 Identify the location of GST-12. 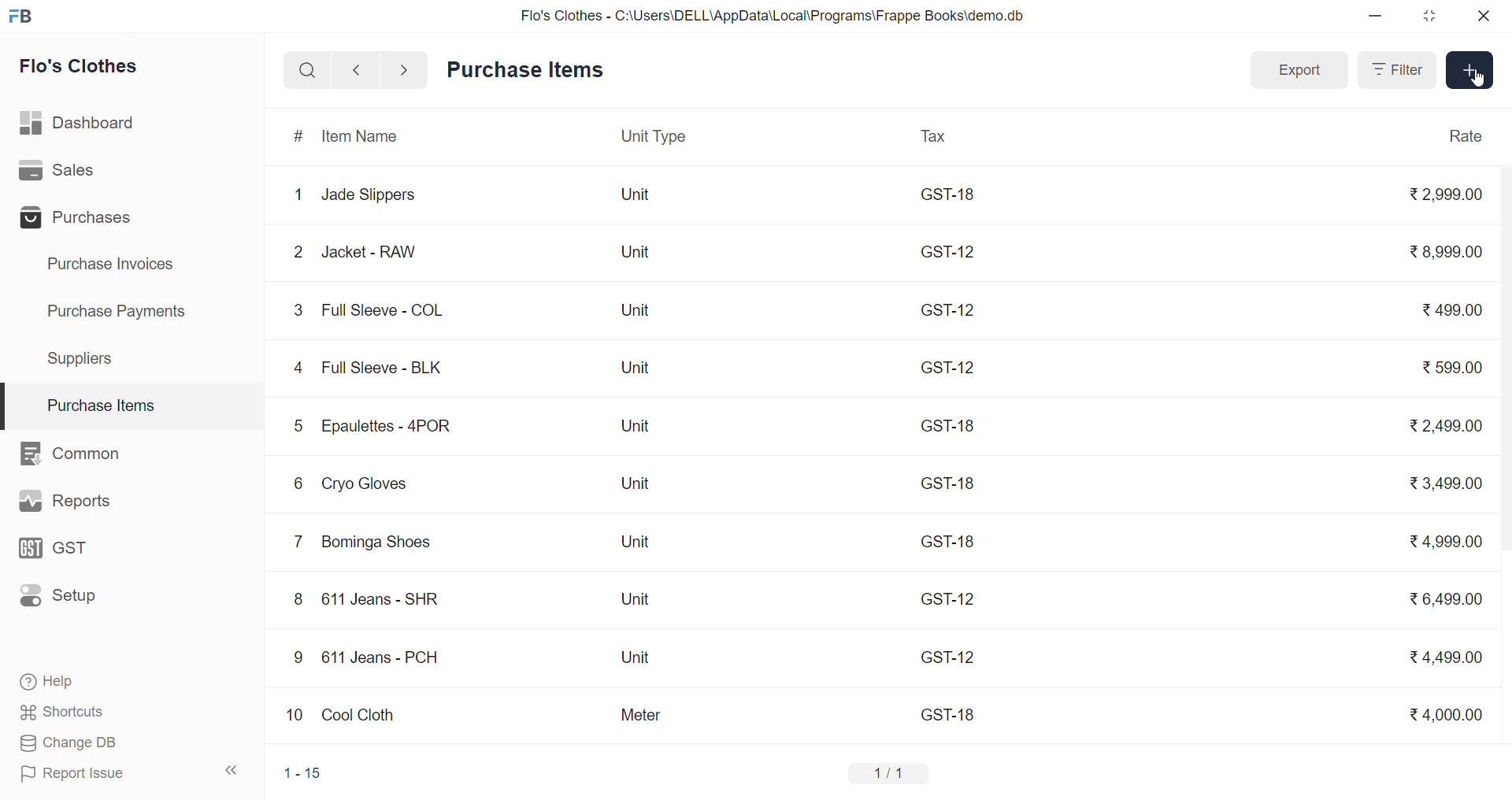
(951, 313).